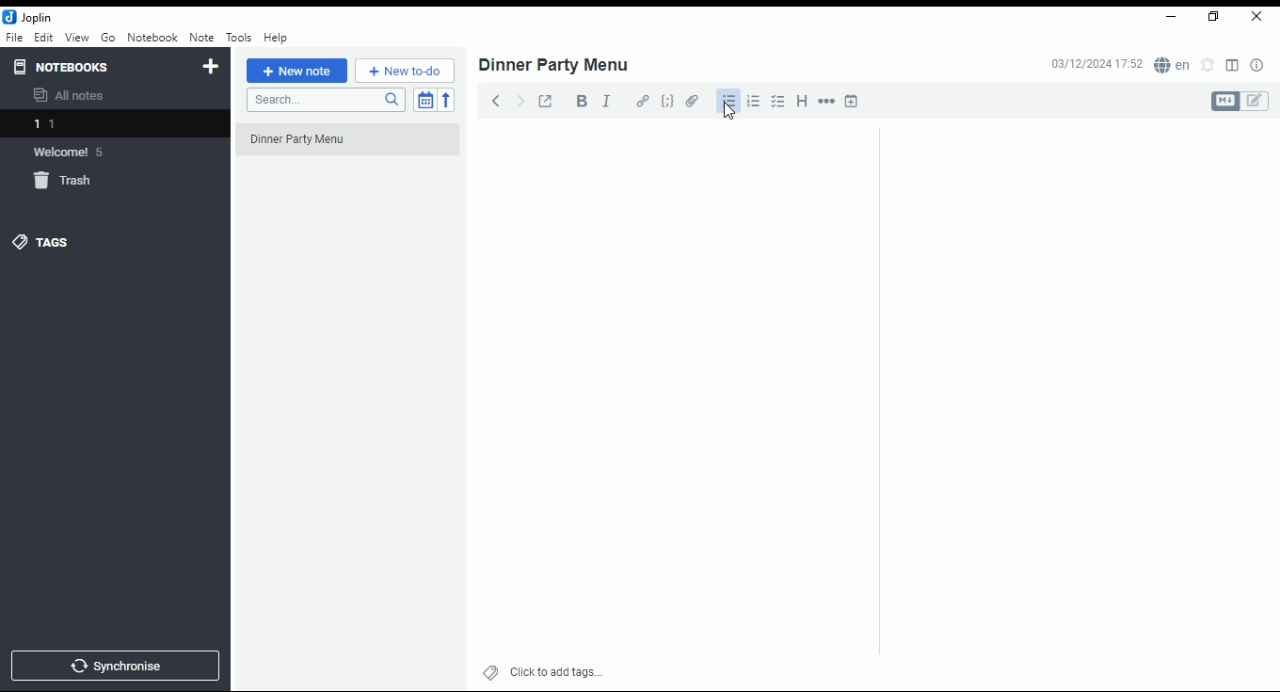  I want to click on Markdown, so click(1224, 101).